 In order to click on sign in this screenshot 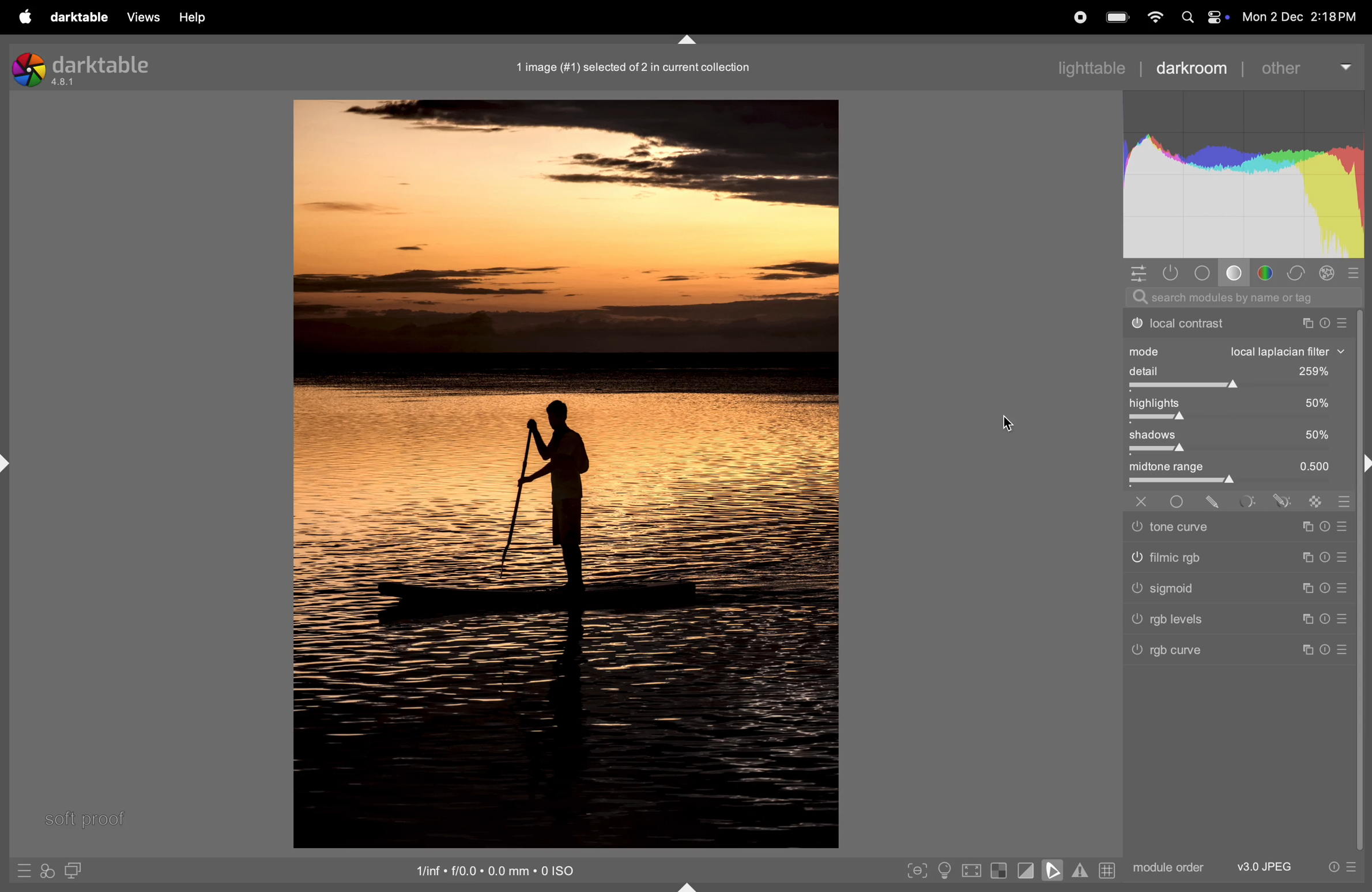, I will do `click(1356, 273)`.